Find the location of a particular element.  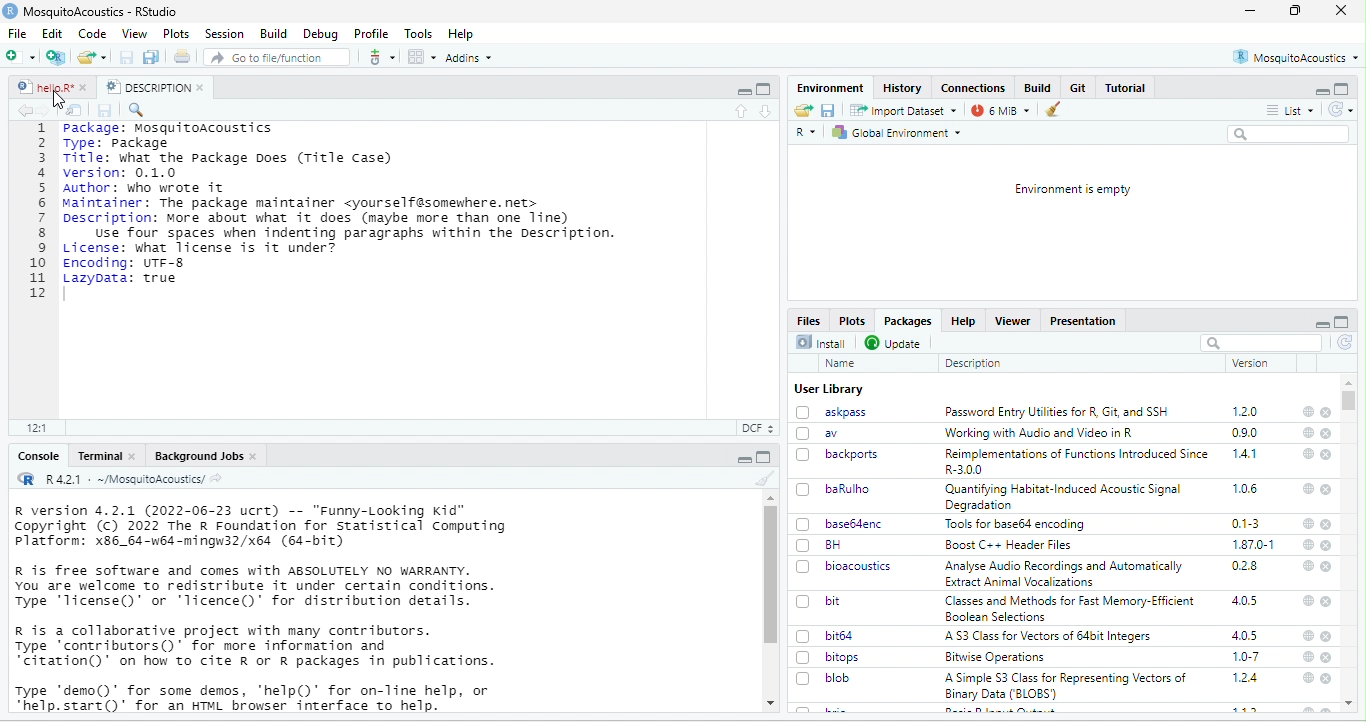

Terminal is located at coordinates (105, 455).